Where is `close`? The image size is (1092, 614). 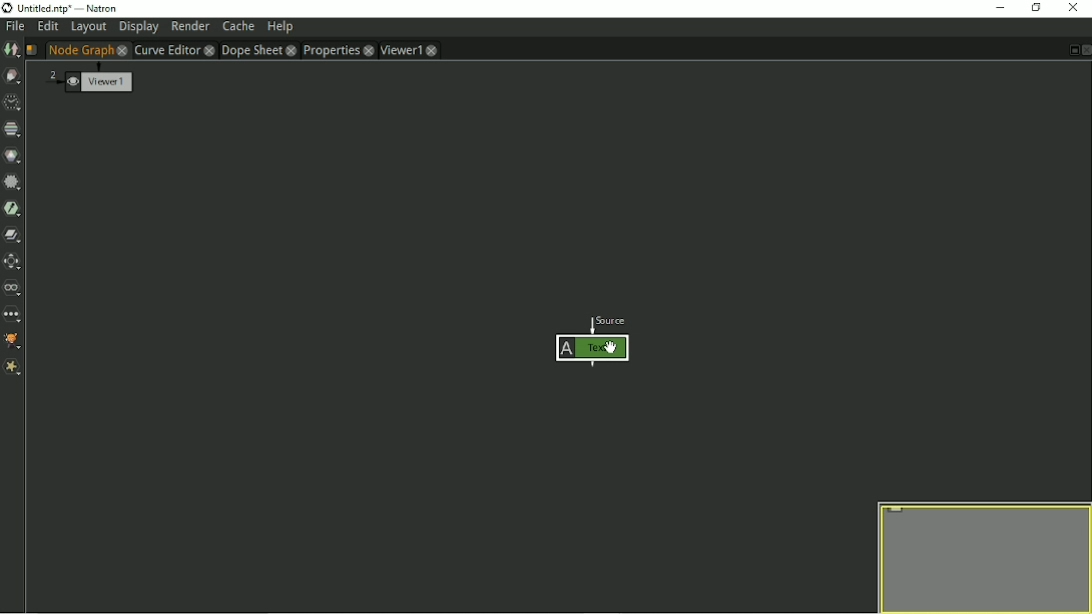
close is located at coordinates (368, 50).